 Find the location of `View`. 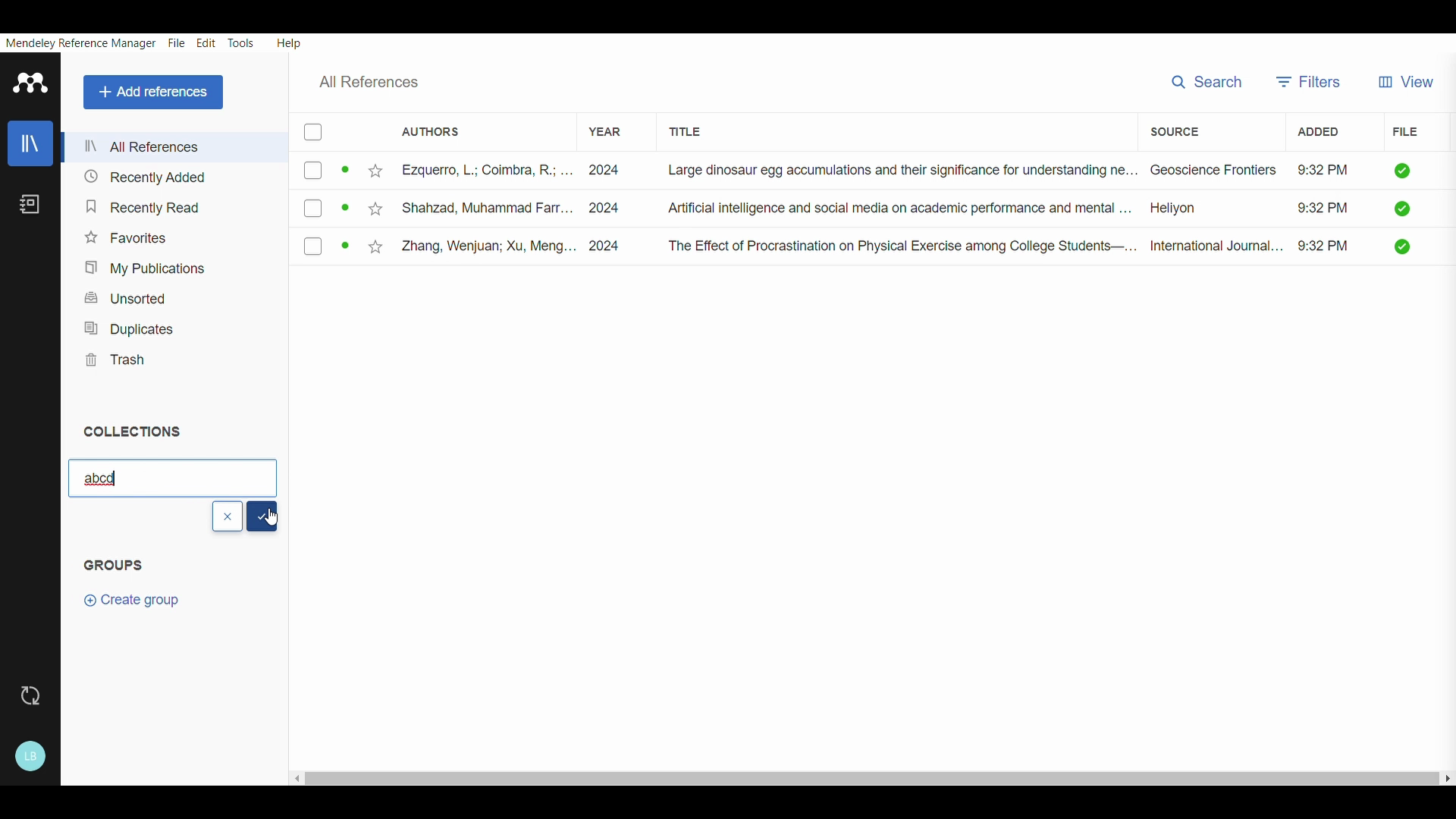

View is located at coordinates (1410, 76).